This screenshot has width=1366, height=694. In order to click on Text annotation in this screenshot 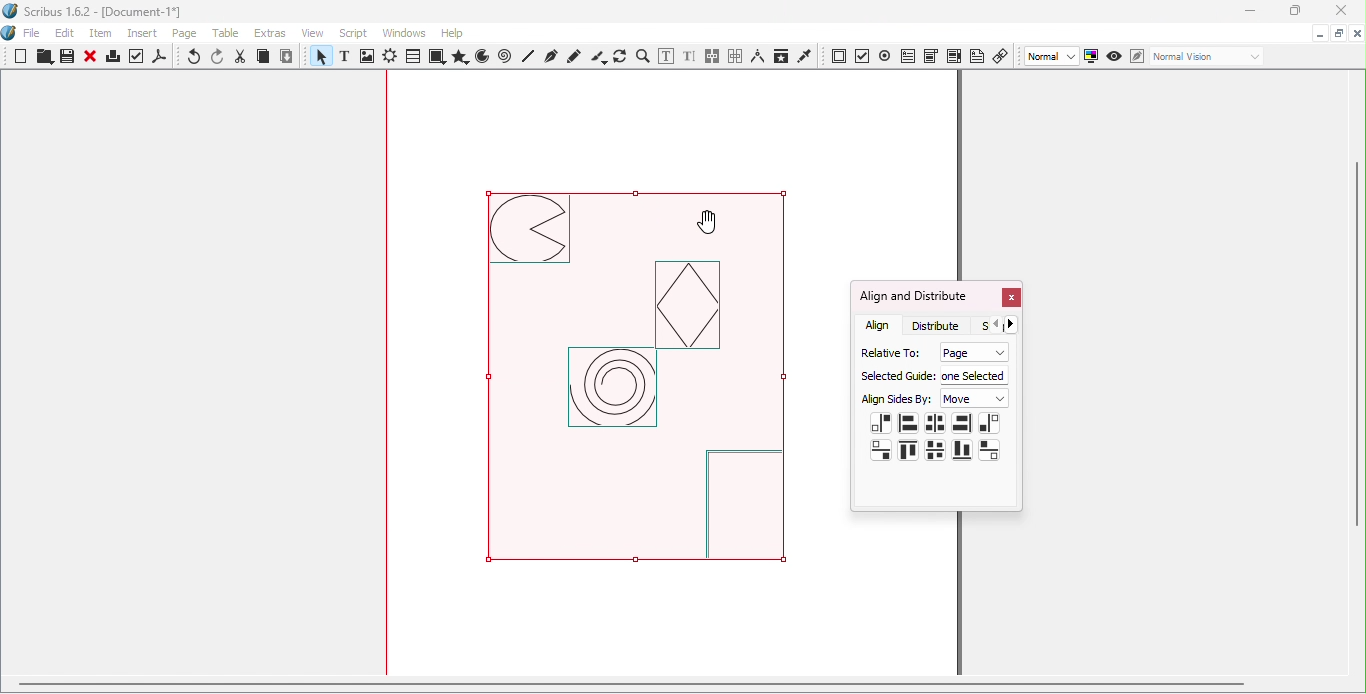, I will do `click(977, 55)`.